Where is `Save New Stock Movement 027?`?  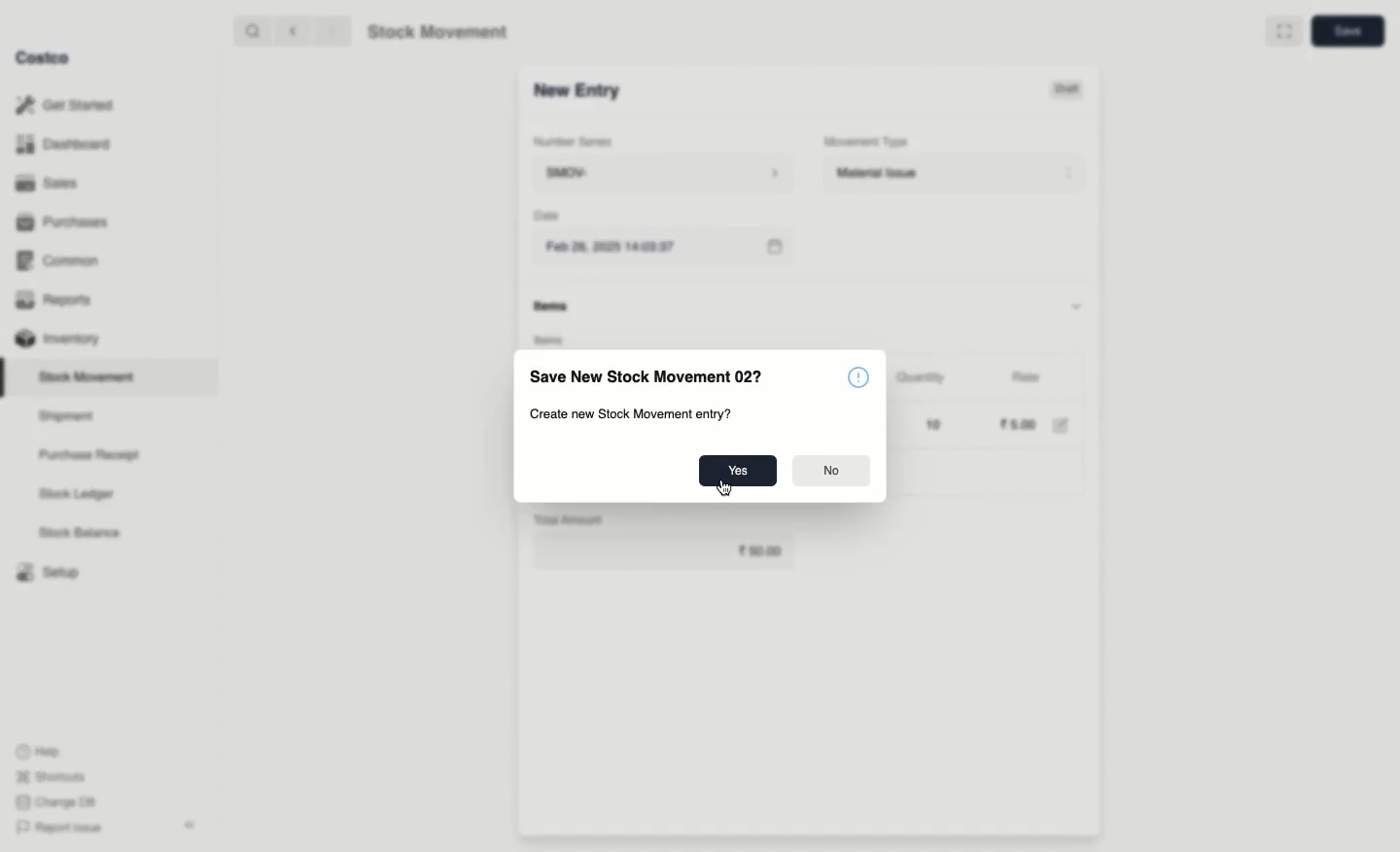 Save New Stock Movement 027? is located at coordinates (646, 375).